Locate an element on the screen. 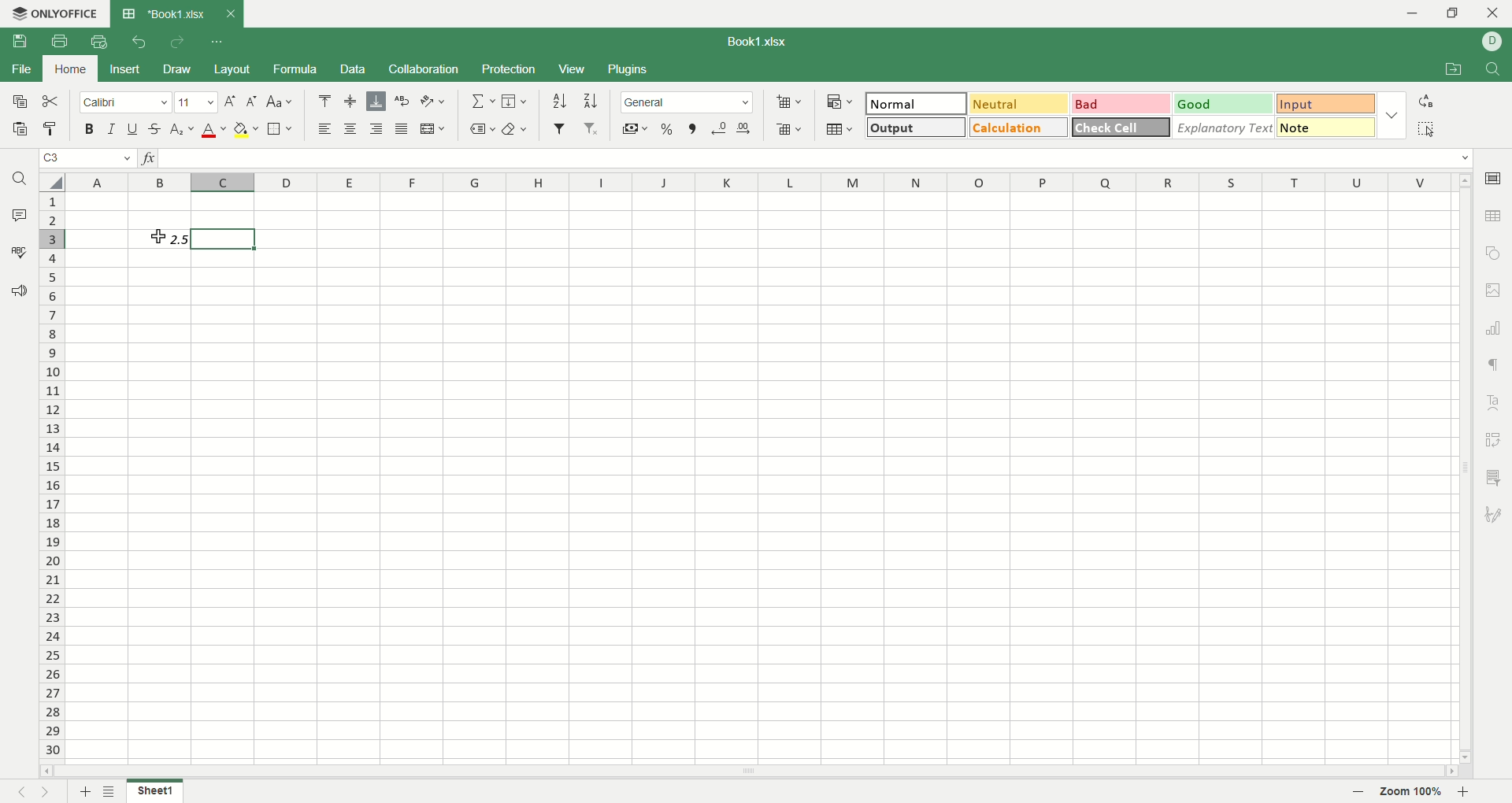  feedback and support is located at coordinates (18, 292).